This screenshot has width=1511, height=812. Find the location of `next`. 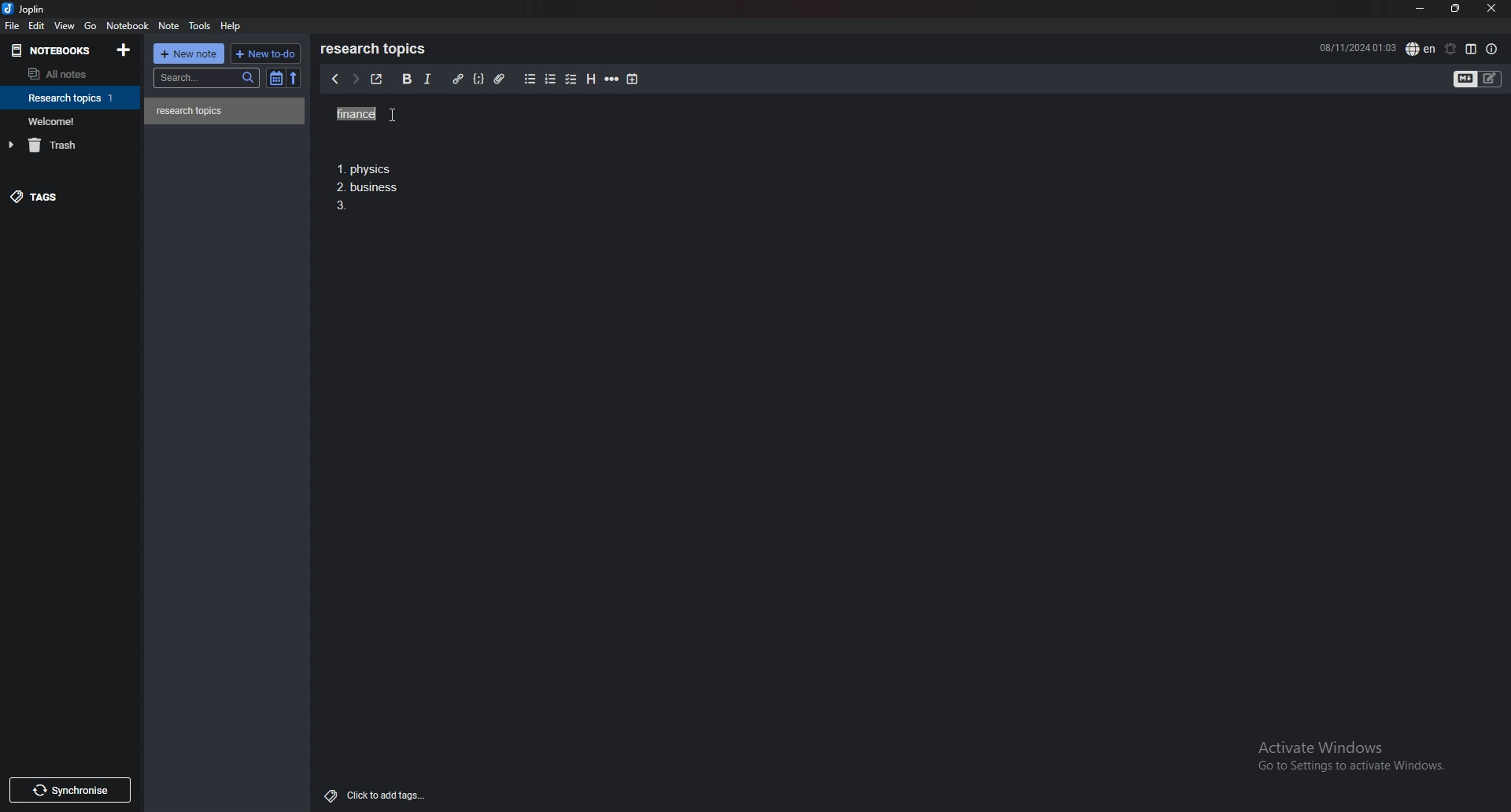

next is located at coordinates (353, 80).